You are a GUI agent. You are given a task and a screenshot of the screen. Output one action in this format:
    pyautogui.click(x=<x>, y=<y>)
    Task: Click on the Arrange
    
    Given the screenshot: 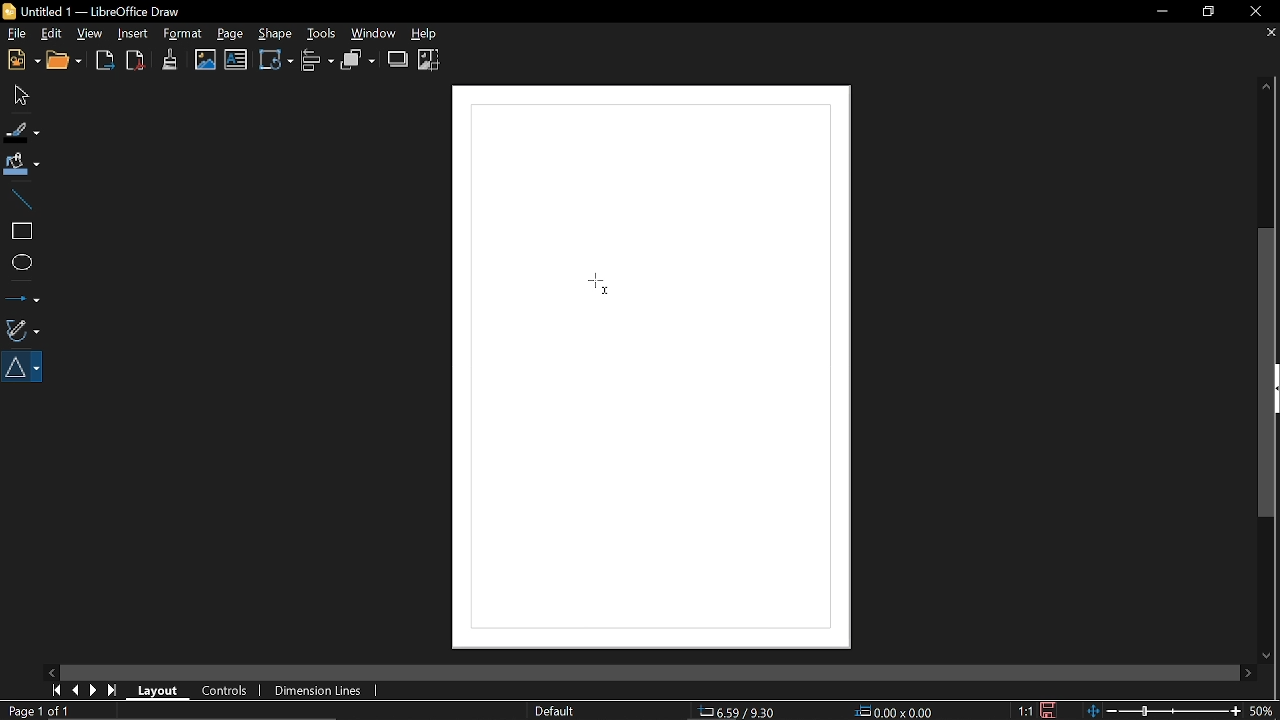 What is the action you would take?
    pyautogui.click(x=358, y=60)
    